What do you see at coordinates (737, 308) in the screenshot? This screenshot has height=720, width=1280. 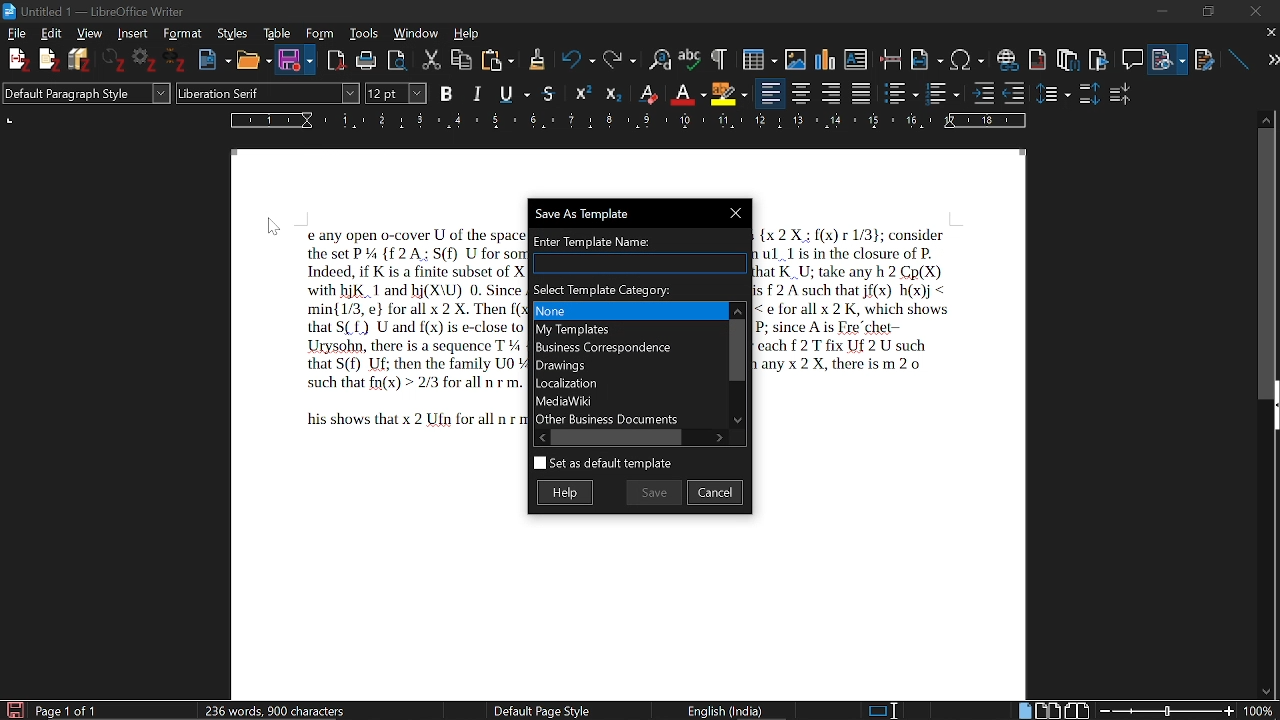 I see `Move up` at bounding box center [737, 308].